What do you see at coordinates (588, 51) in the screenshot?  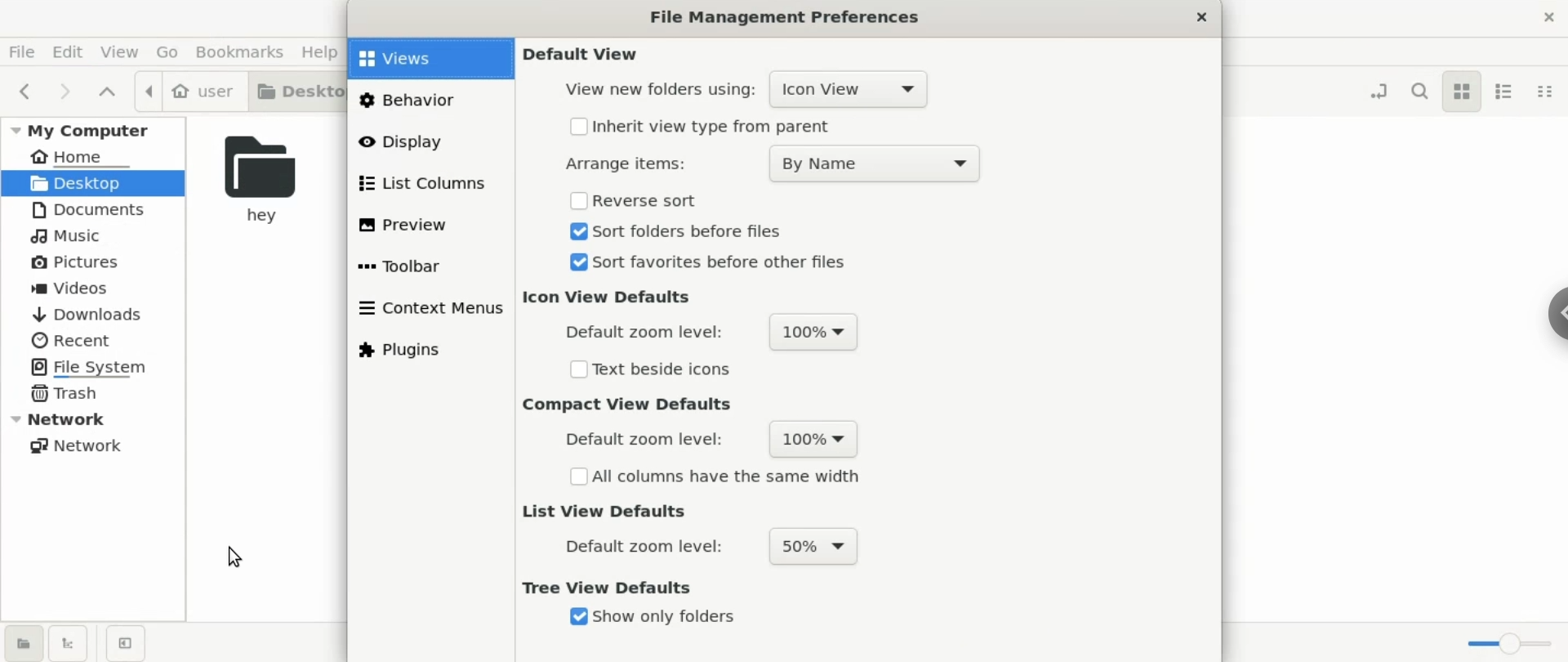 I see `default view` at bounding box center [588, 51].